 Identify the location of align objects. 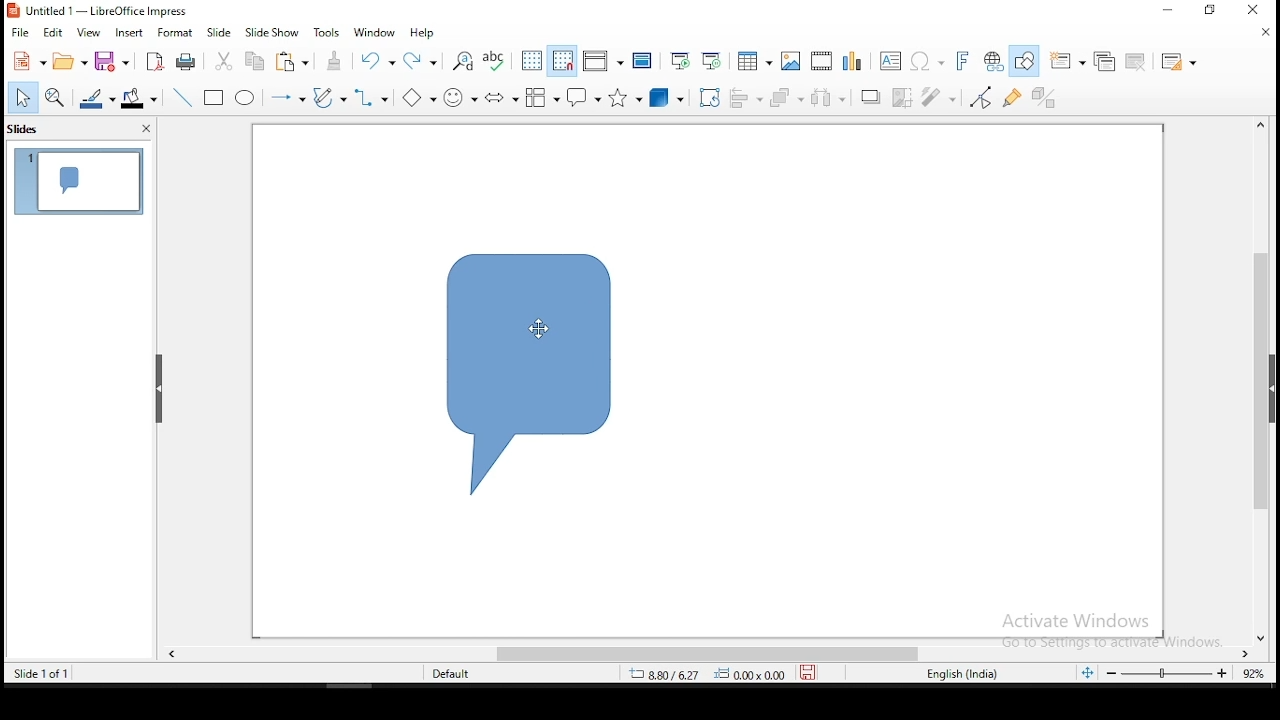
(744, 98).